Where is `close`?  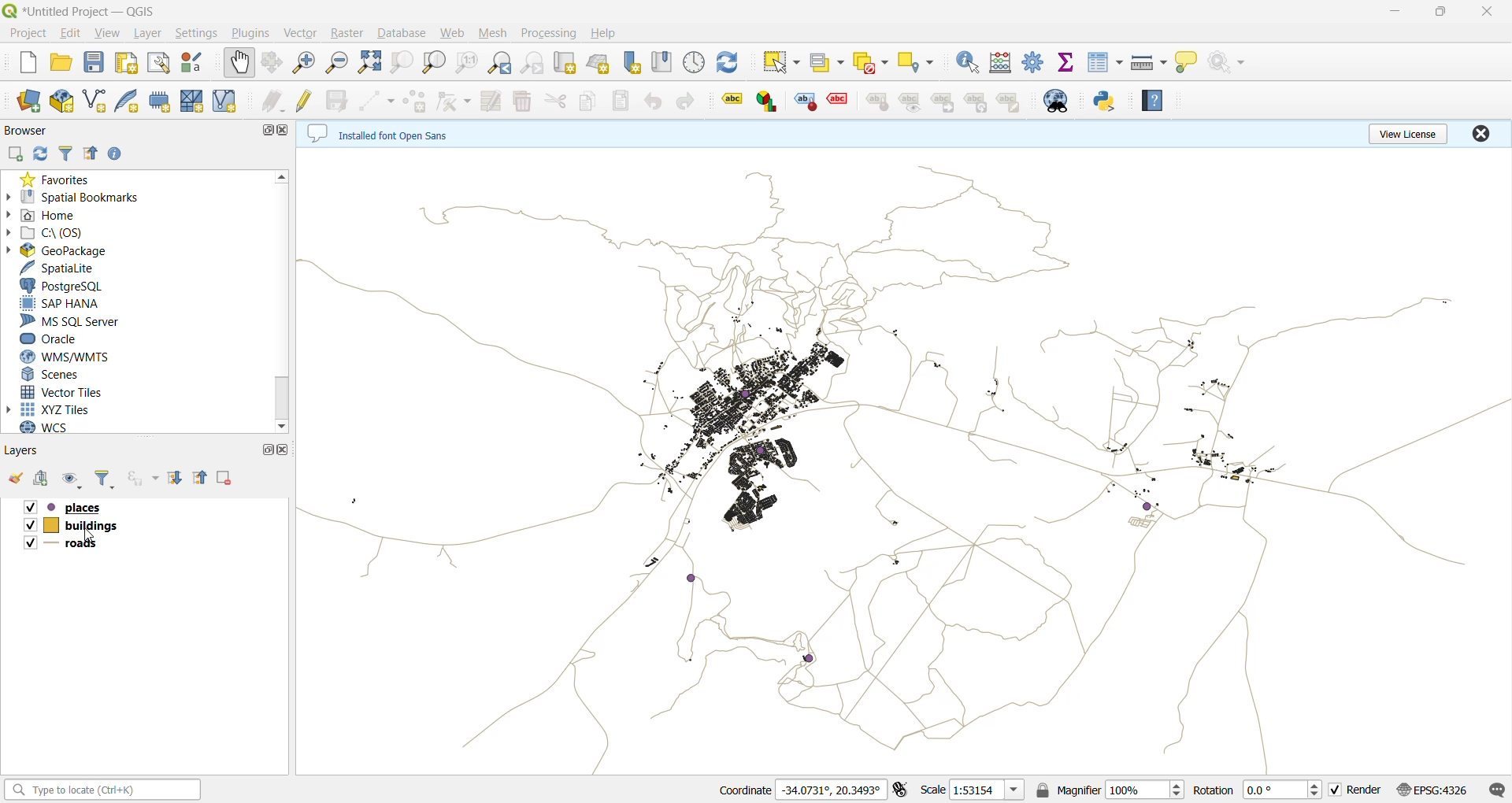
close is located at coordinates (286, 131).